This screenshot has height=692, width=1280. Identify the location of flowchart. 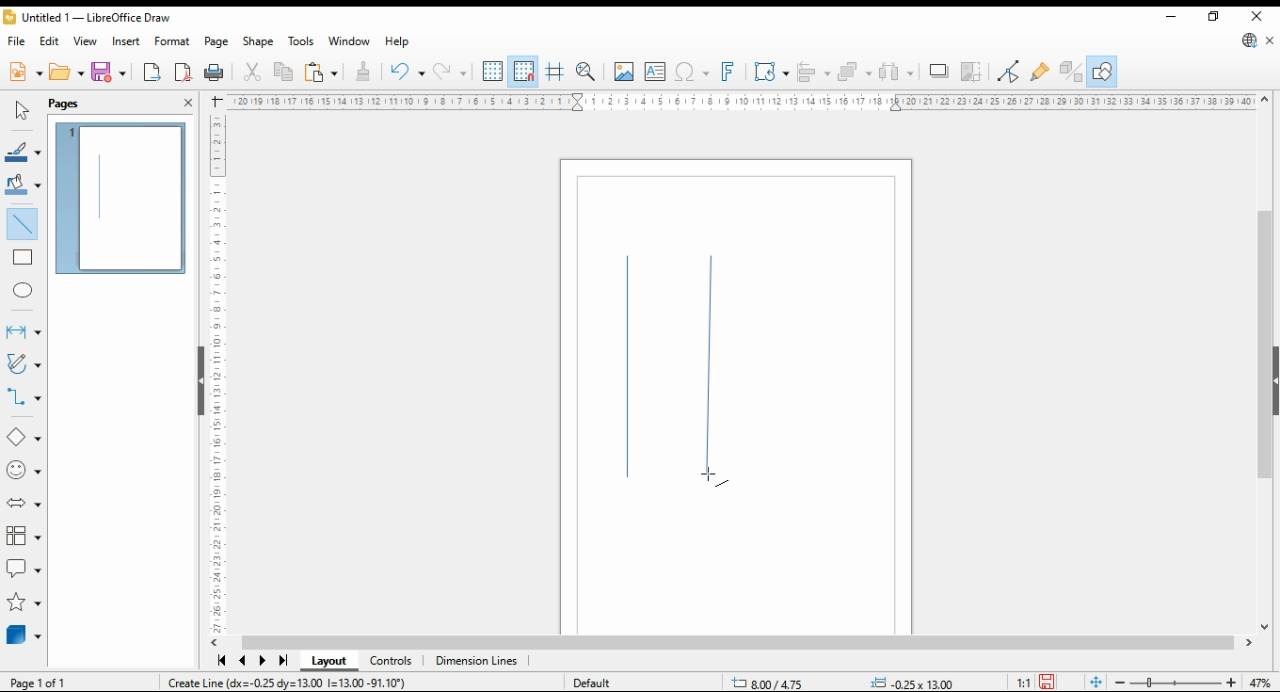
(21, 536).